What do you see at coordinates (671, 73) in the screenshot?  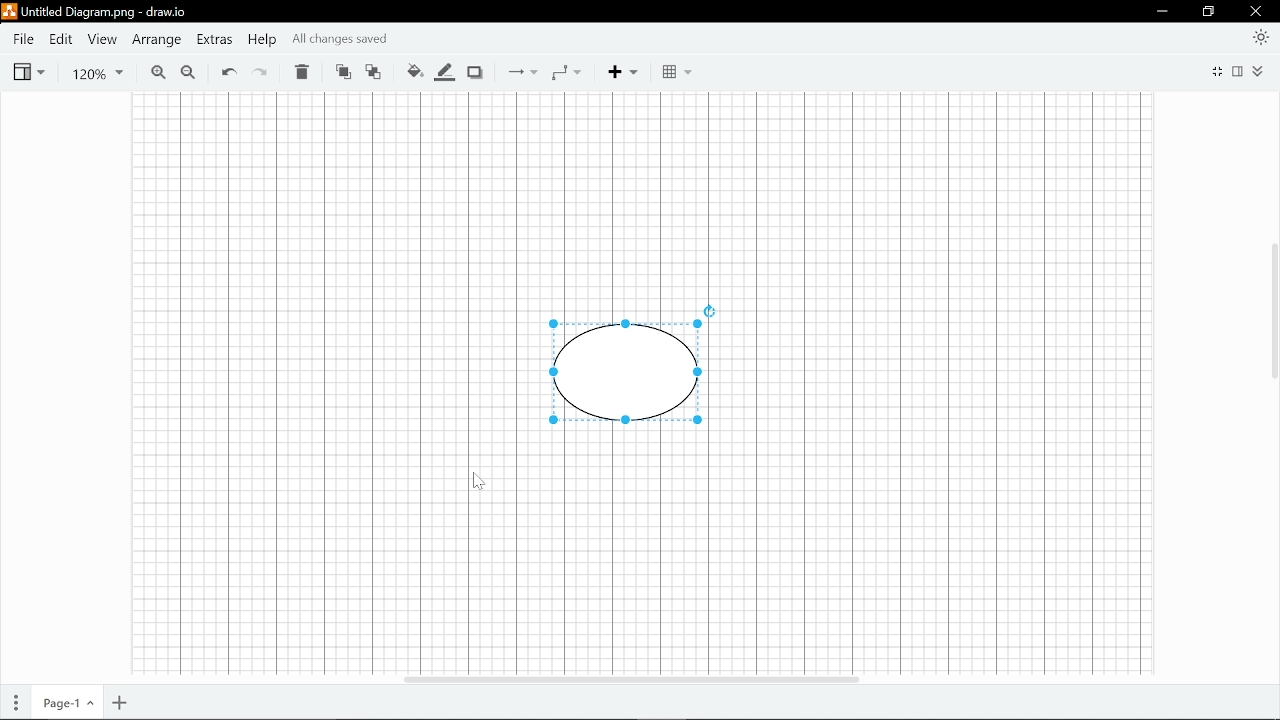 I see `Blocks` at bounding box center [671, 73].